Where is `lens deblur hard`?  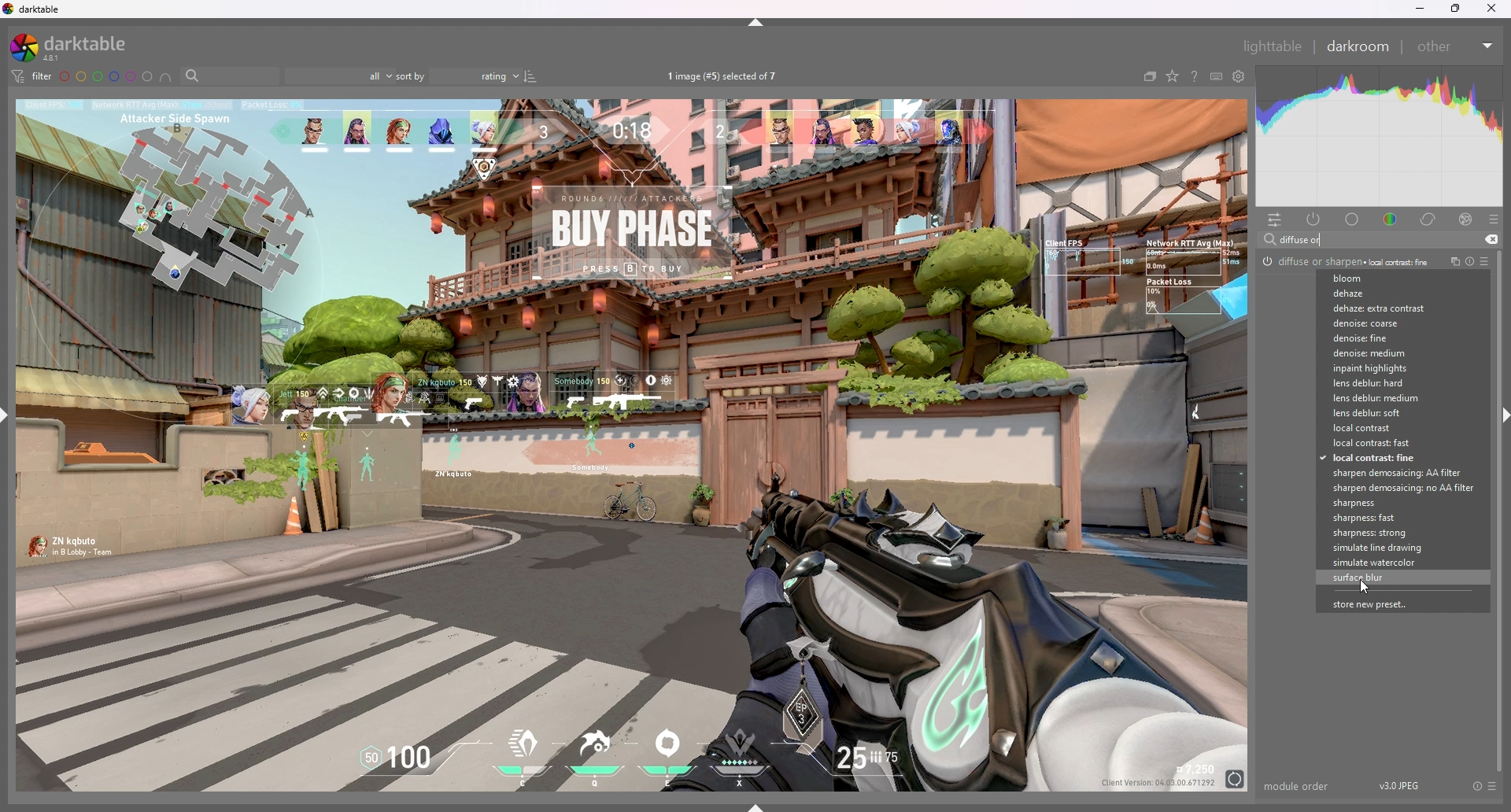
lens deblur hard is located at coordinates (1391, 383).